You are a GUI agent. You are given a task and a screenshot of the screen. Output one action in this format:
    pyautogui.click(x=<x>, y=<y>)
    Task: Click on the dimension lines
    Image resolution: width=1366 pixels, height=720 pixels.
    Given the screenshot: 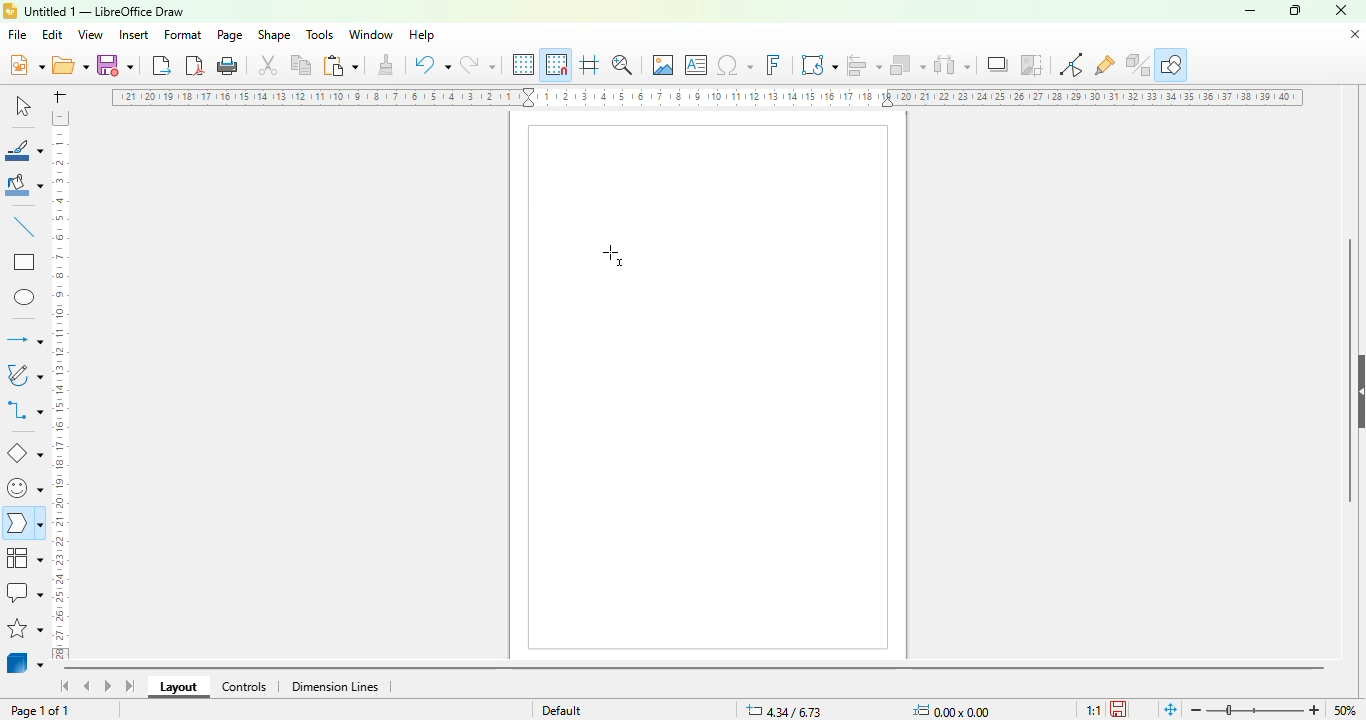 What is the action you would take?
    pyautogui.click(x=334, y=687)
    